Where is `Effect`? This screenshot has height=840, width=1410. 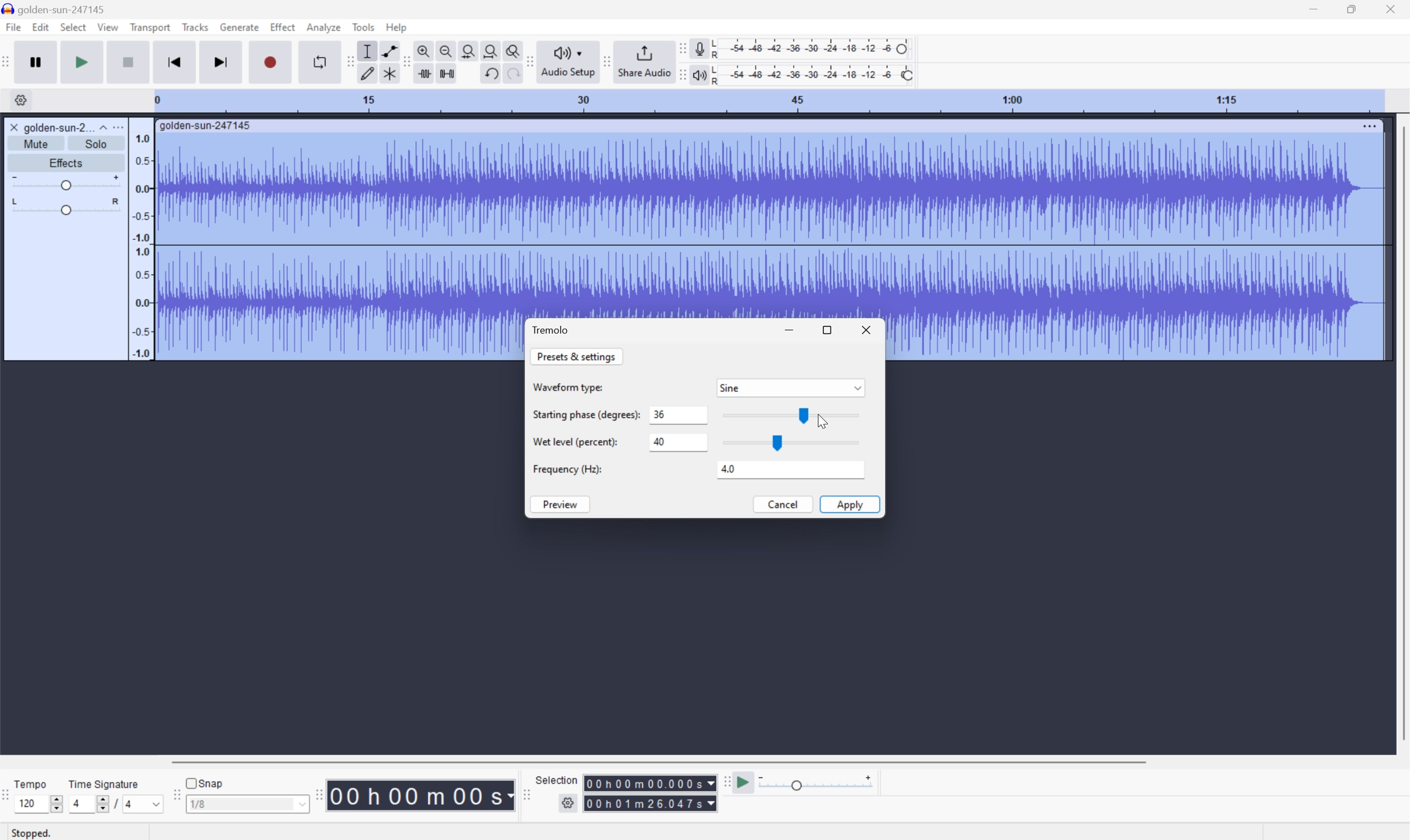 Effect is located at coordinates (283, 27).